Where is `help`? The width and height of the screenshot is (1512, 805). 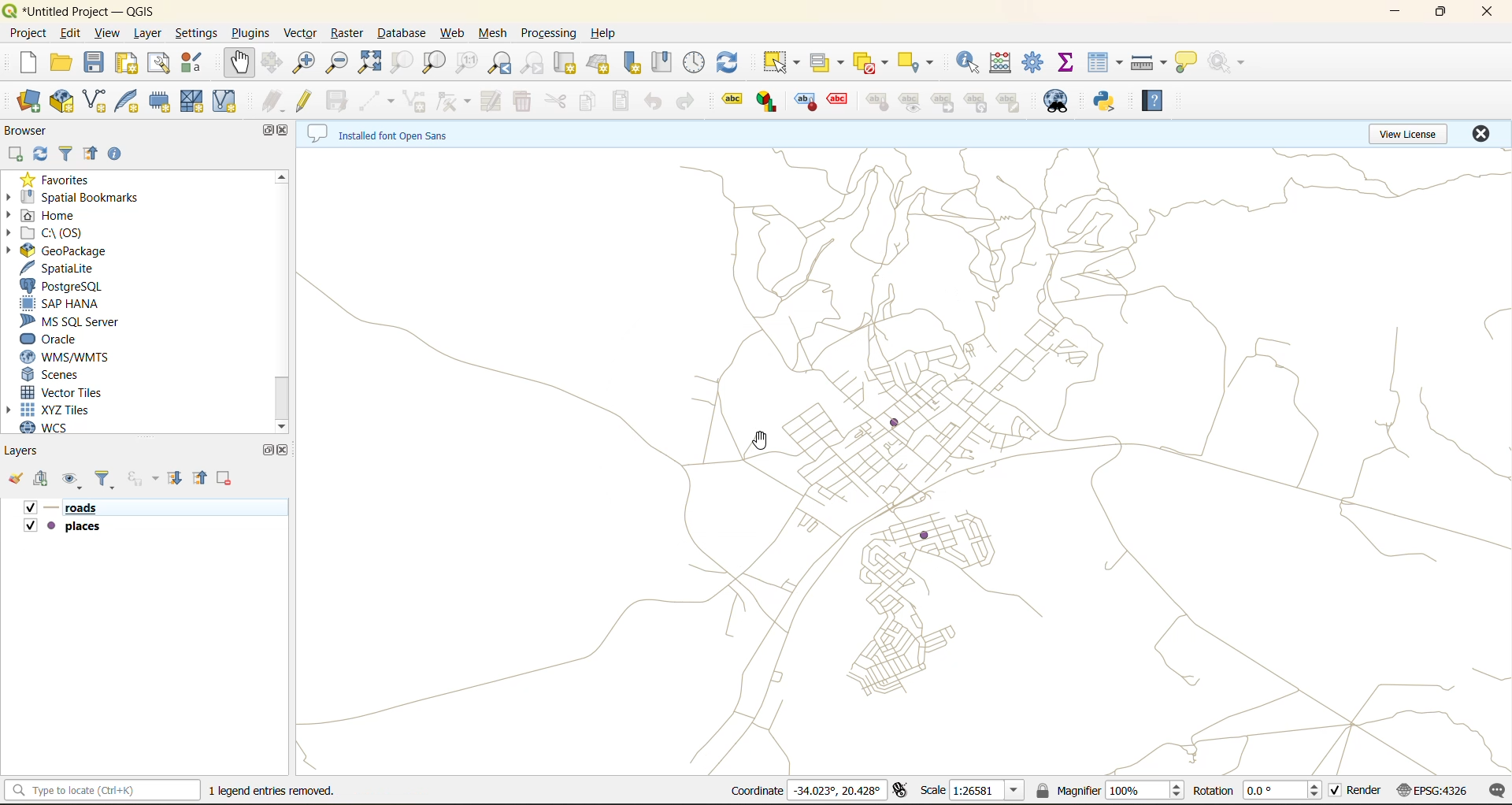 help is located at coordinates (609, 32).